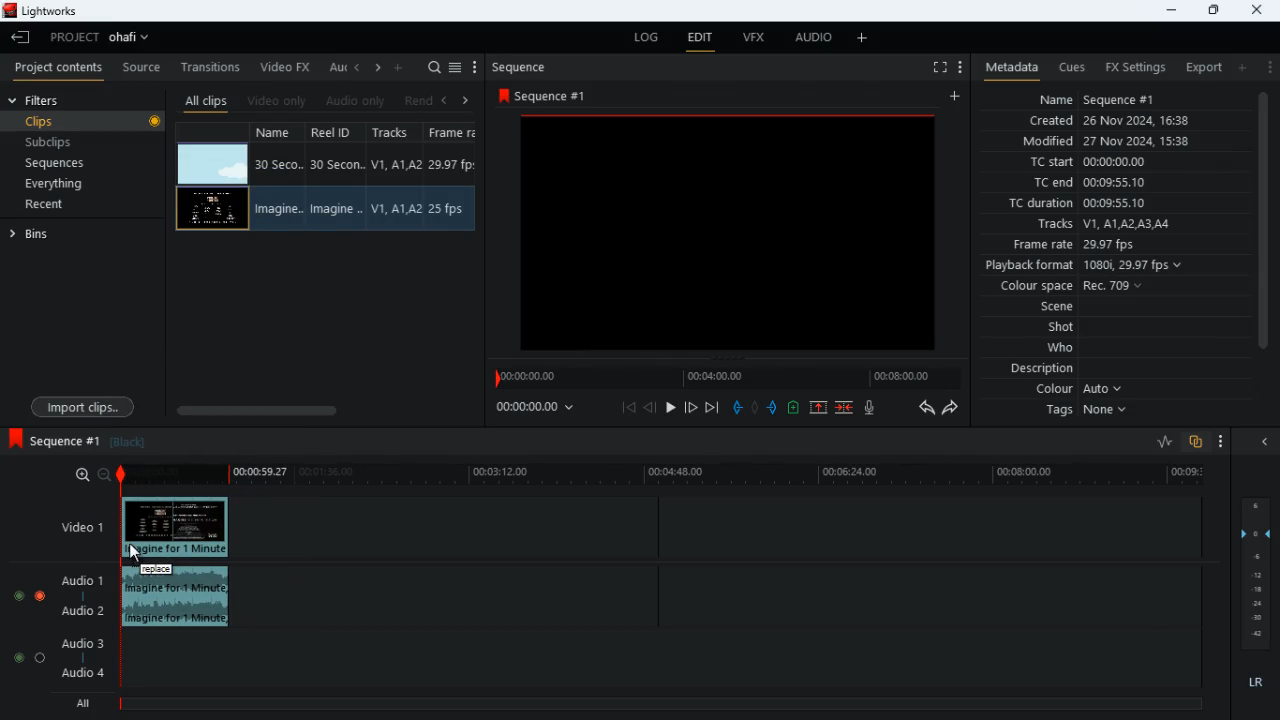 Image resolution: width=1280 pixels, height=720 pixels. What do you see at coordinates (399, 67) in the screenshot?
I see `more` at bounding box center [399, 67].